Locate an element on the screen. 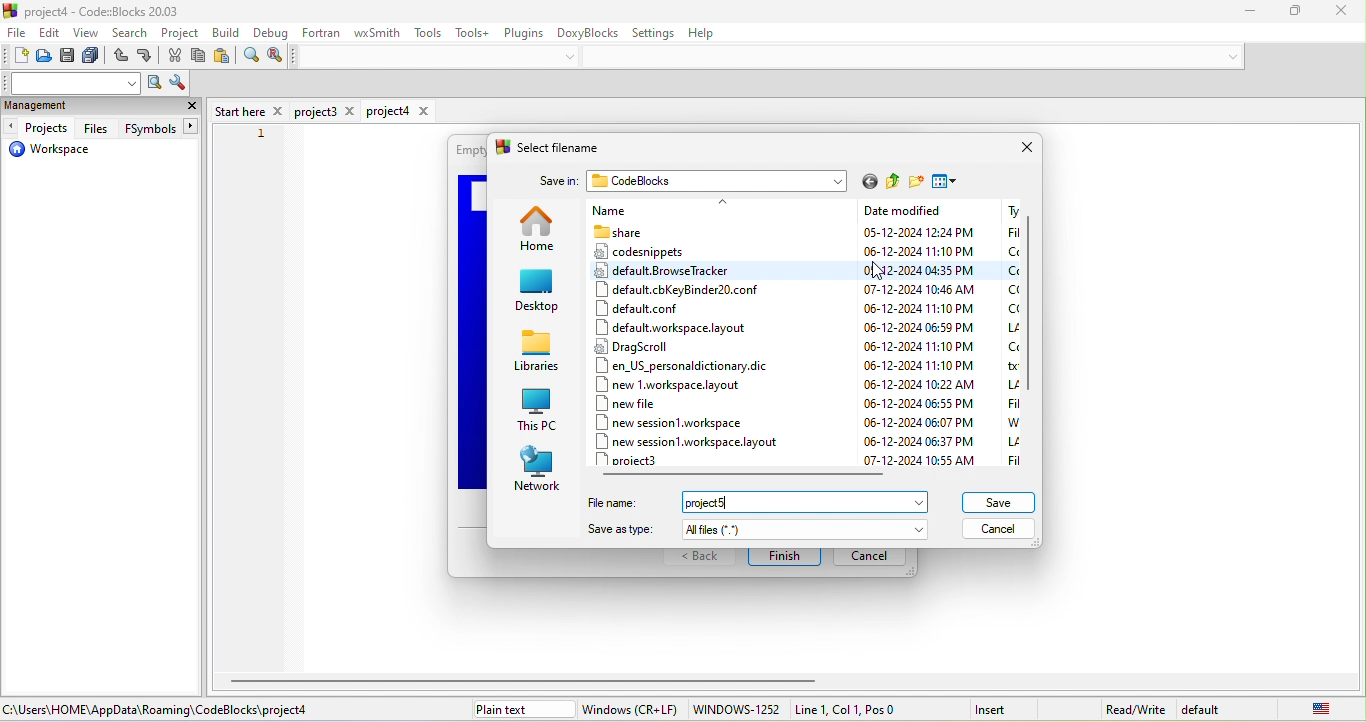 The image size is (1366, 722). plugins is located at coordinates (522, 31).